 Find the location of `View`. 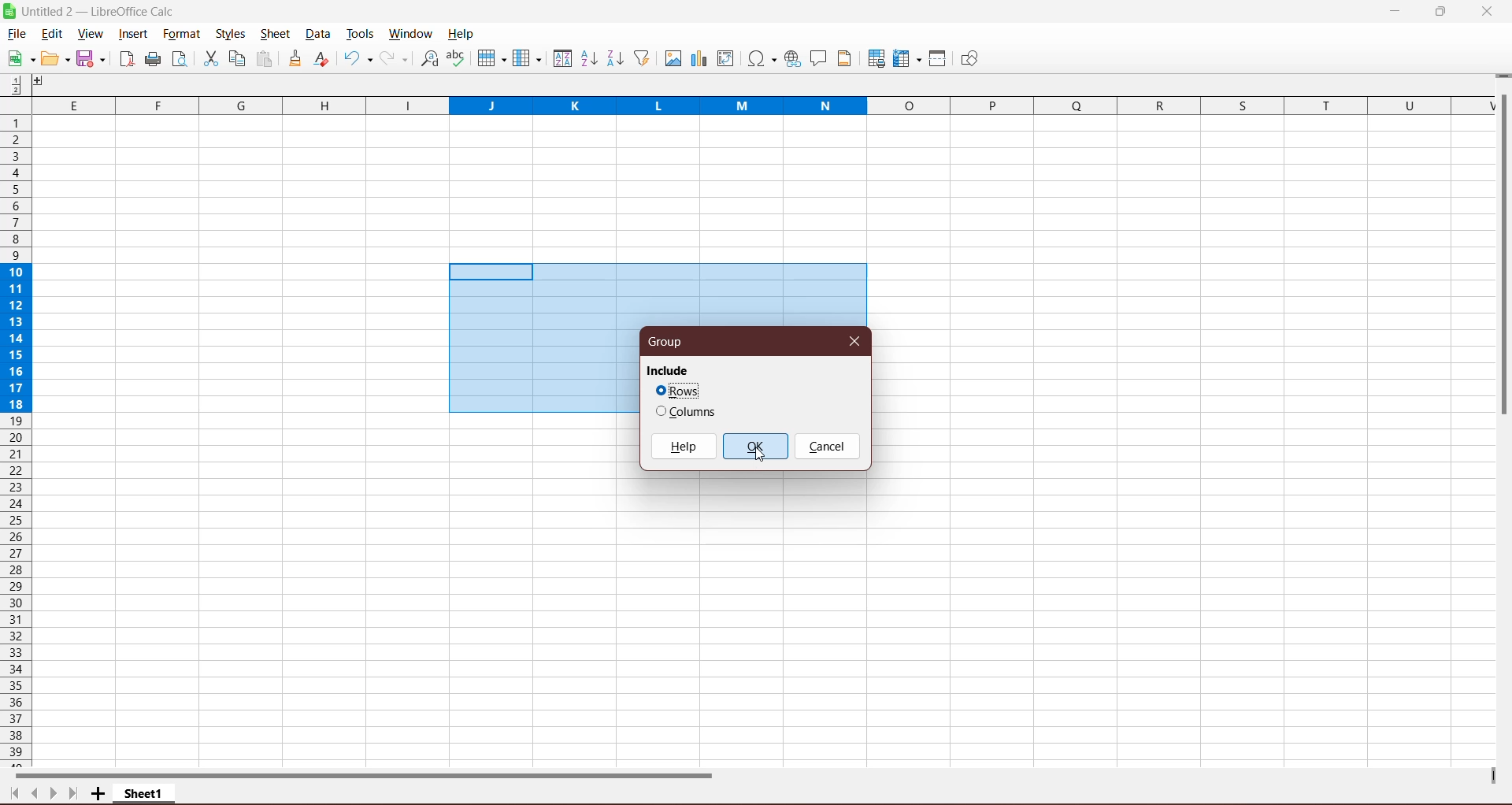

View is located at coordinates (89, 35).